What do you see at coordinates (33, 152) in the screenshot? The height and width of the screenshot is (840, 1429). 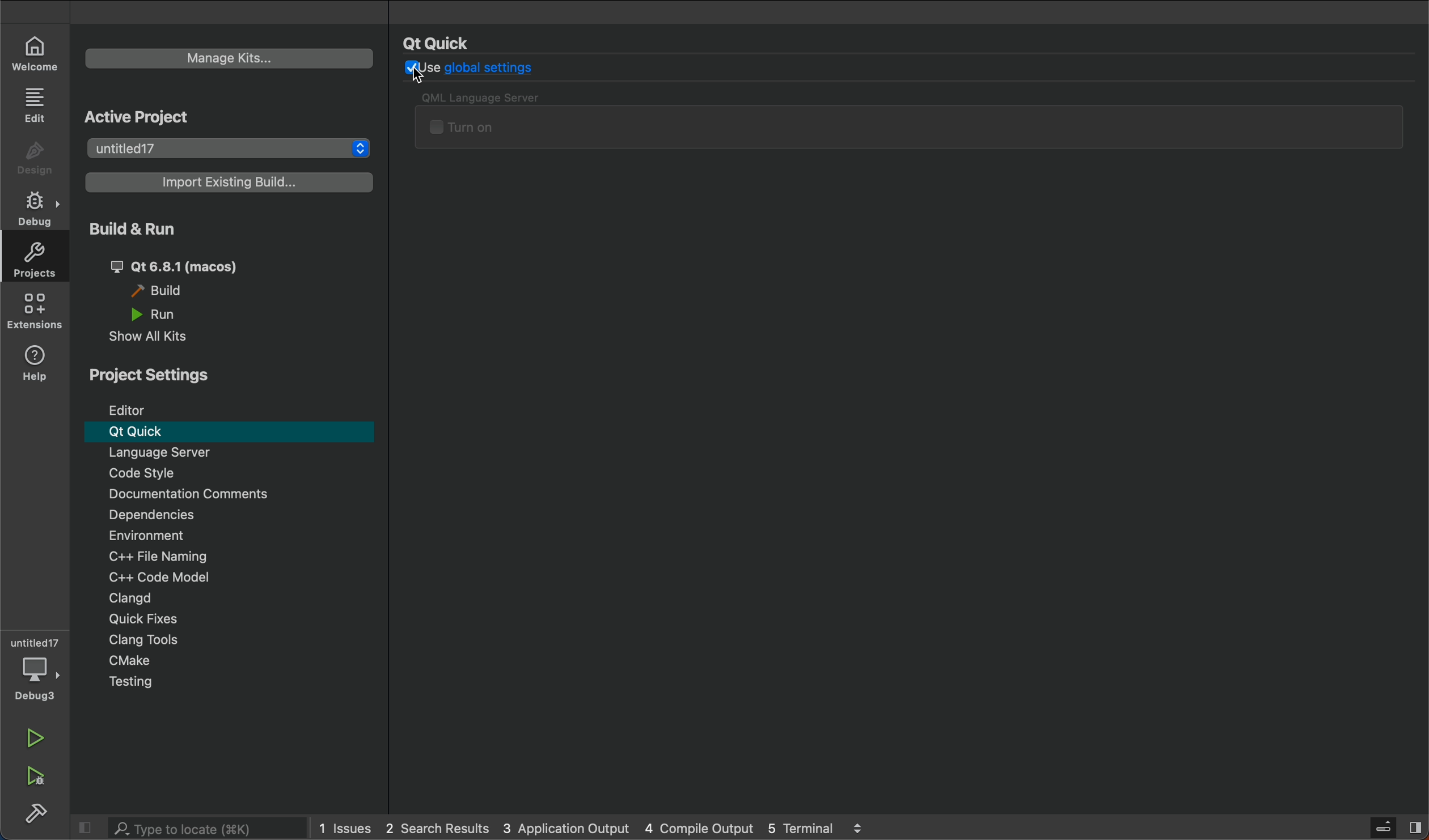 I see `DESIGN` at bounding box center [33, 152].